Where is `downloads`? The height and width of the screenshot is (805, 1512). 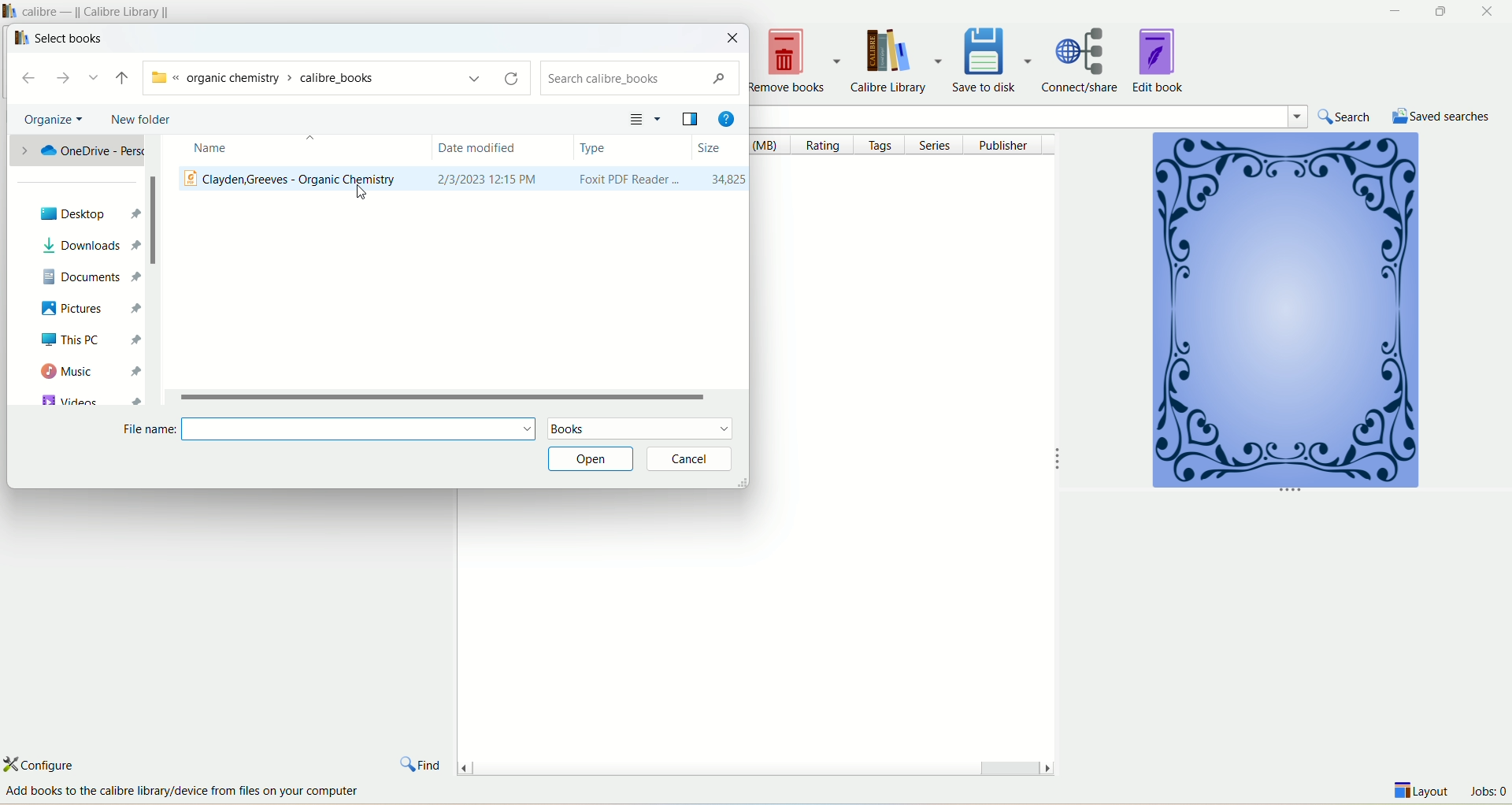
downloads is located at coordinates (83, 246).